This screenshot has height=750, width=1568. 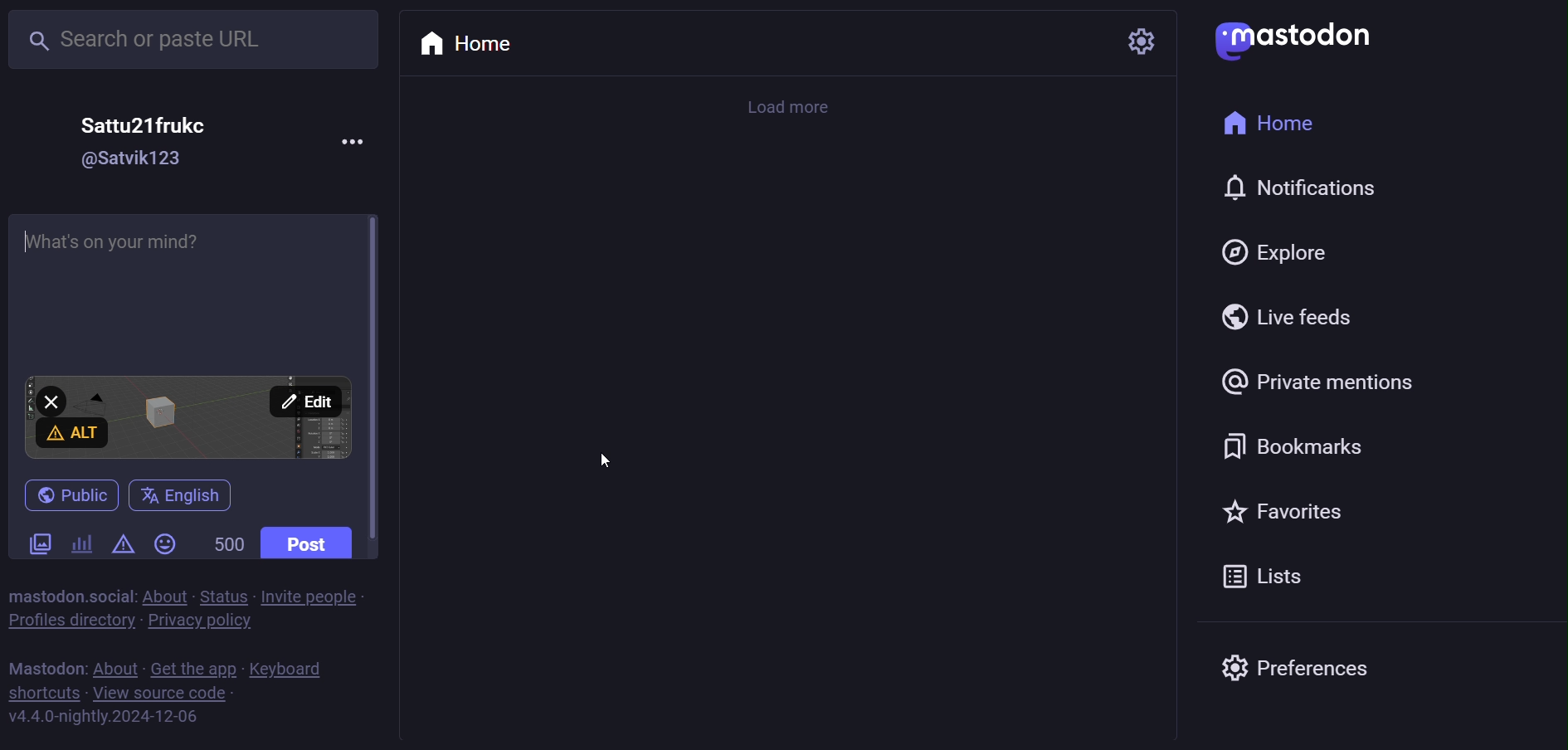 What do you see at coordinates (290, 669) in the screenshot?
I see `keyboard` at bounding box center [290, 669].